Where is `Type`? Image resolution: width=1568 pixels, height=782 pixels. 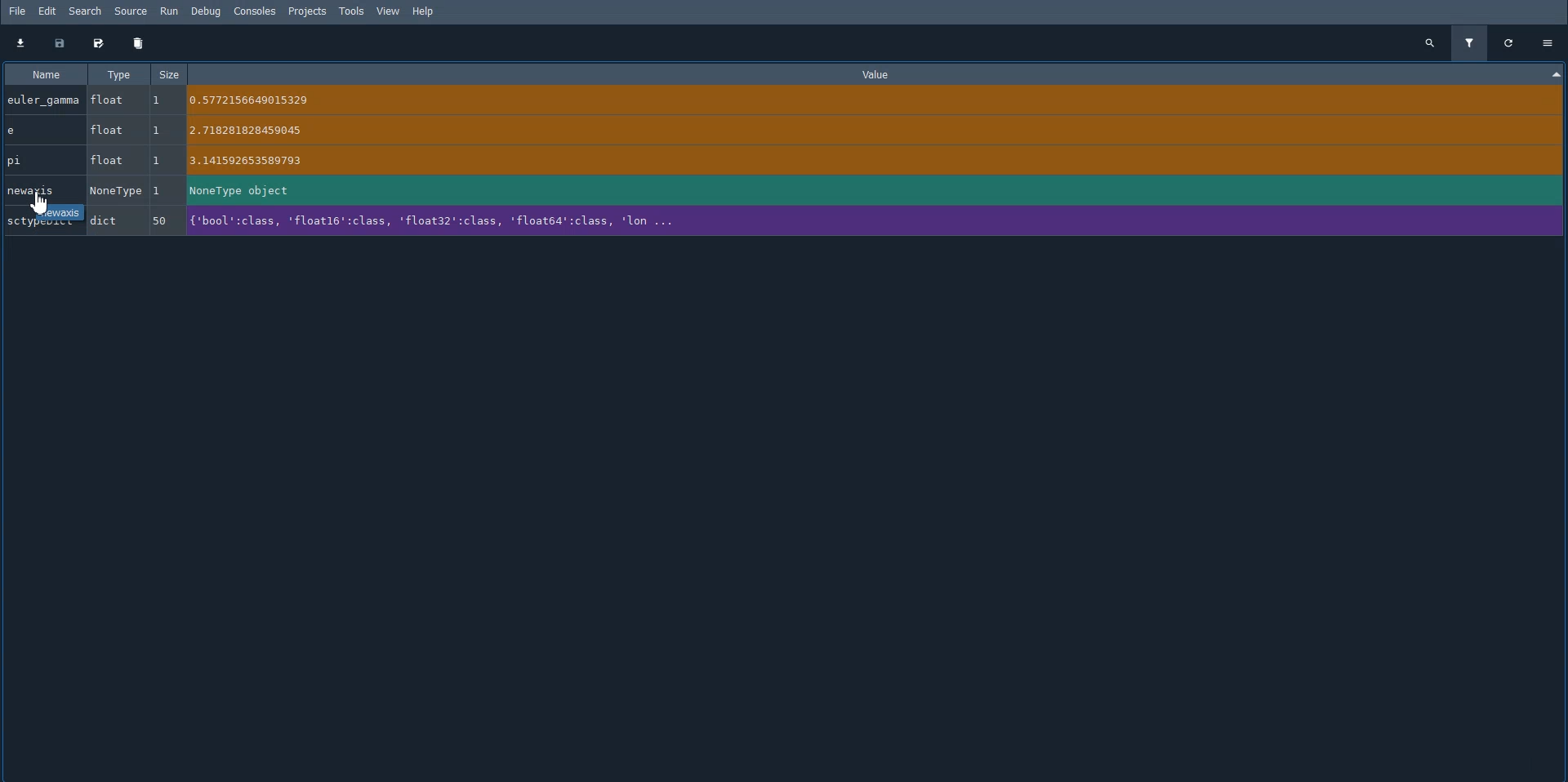
Type is located at coordinates (119, 74).